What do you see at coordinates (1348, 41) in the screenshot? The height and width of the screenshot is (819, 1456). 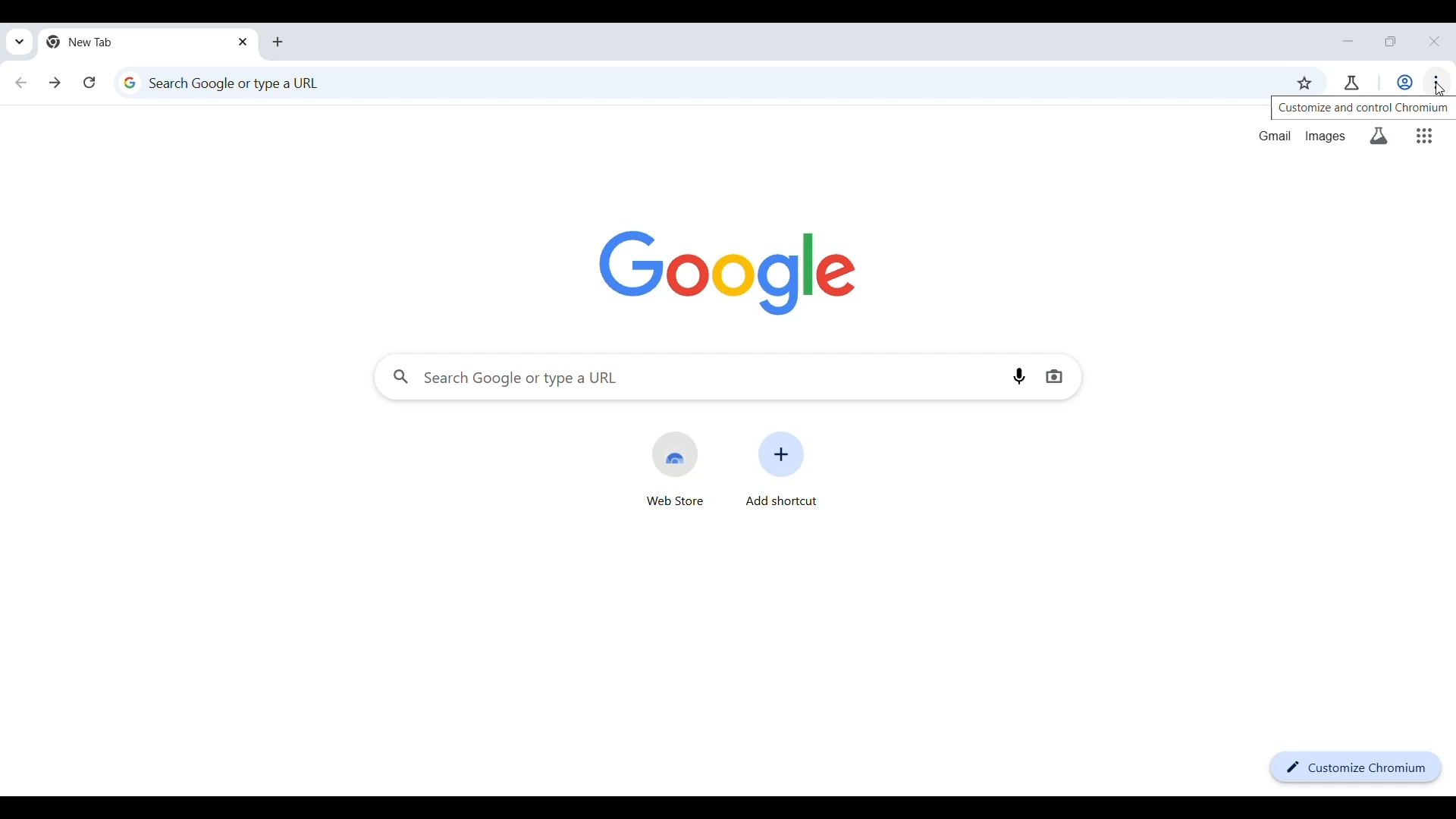 I see `Minimize` at bounding box center [1348, 41].